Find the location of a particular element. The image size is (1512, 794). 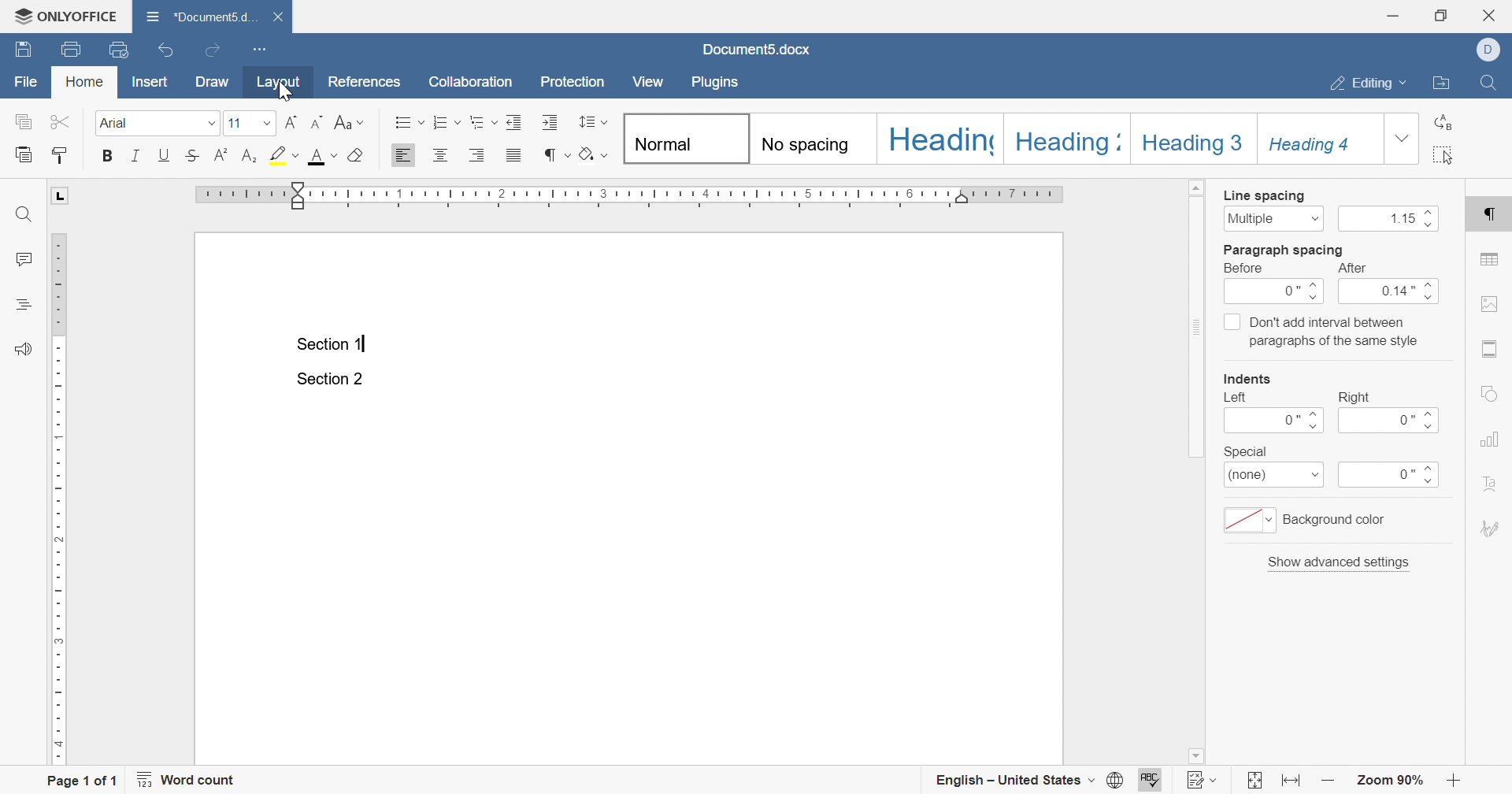

save is located at coordinates (23, 49).